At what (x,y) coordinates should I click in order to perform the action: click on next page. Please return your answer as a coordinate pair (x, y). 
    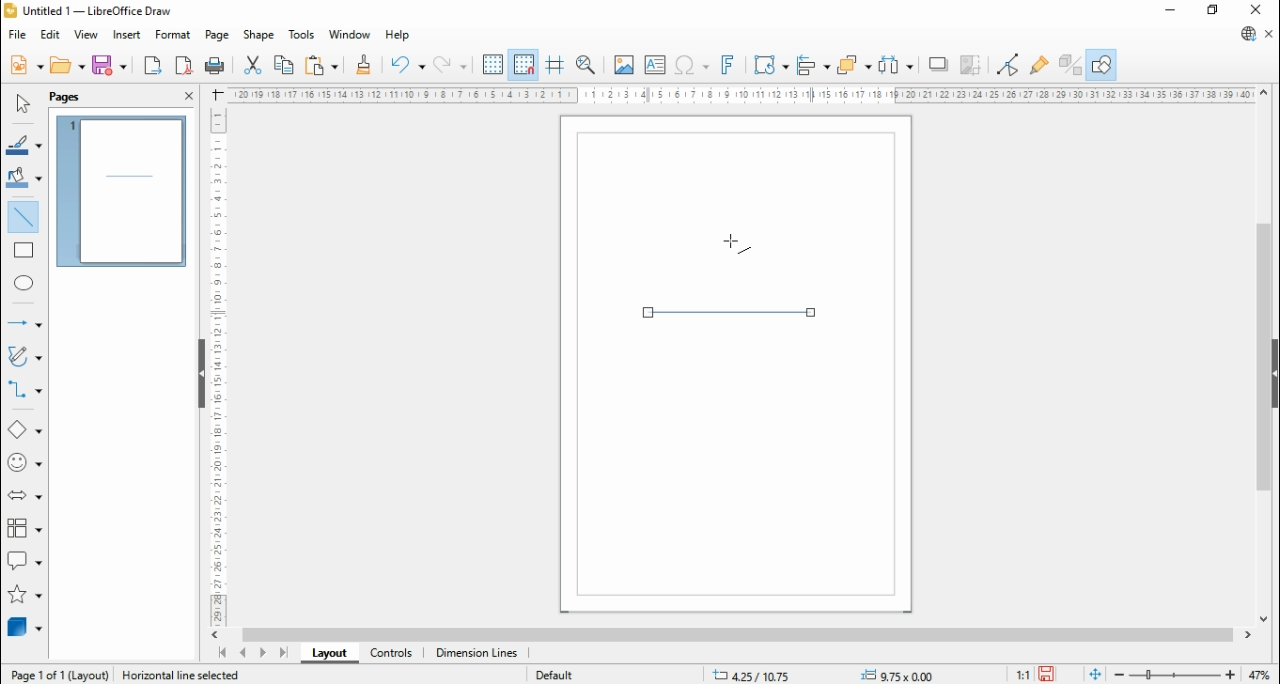
    Looking at the image, I should click on (262, 652).